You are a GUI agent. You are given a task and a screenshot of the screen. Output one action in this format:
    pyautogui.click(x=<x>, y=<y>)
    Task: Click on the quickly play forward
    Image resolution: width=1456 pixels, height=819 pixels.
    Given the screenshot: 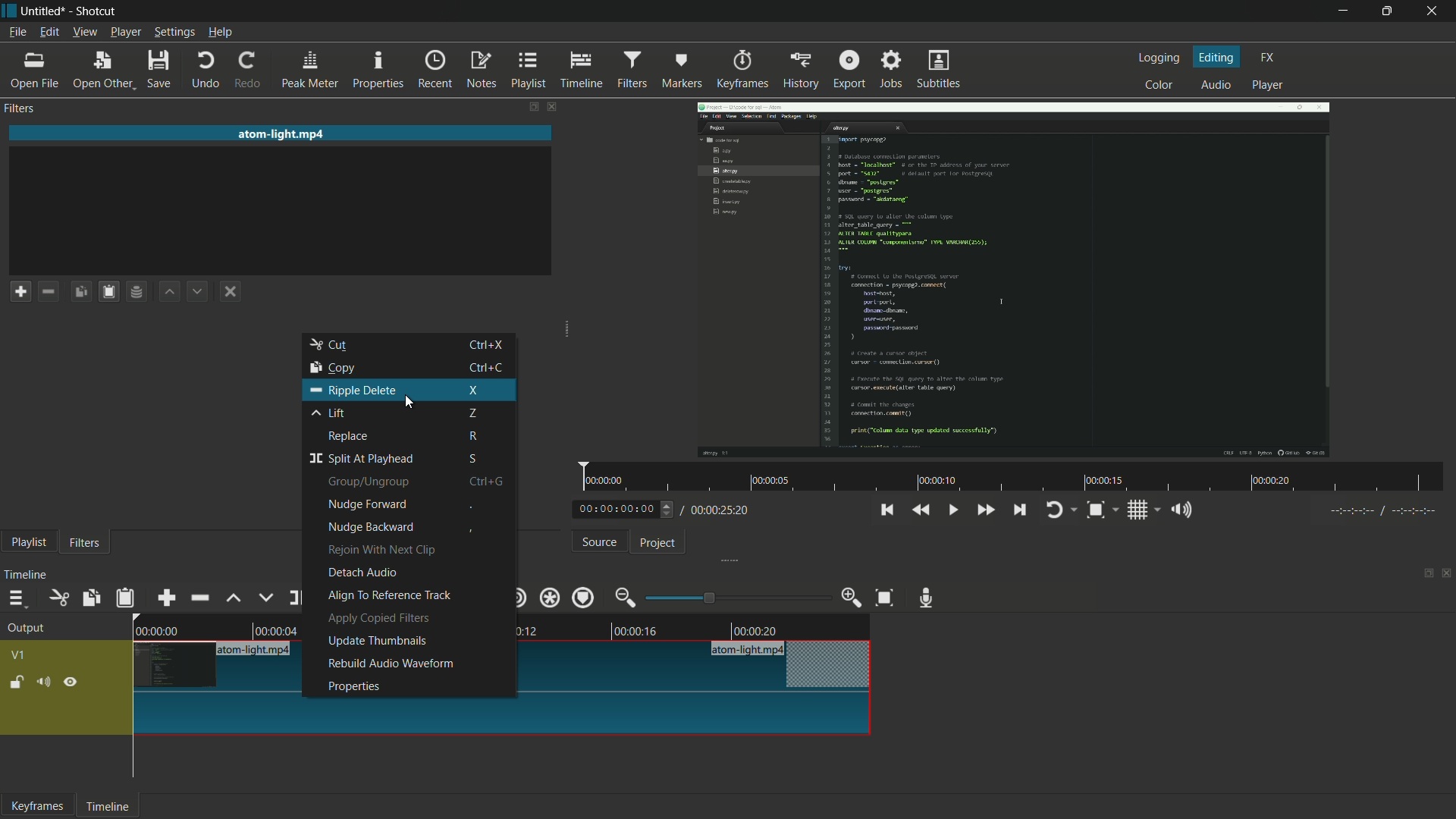 What is the action you would take?
    pyautogui.click(x=982, y=510)
    